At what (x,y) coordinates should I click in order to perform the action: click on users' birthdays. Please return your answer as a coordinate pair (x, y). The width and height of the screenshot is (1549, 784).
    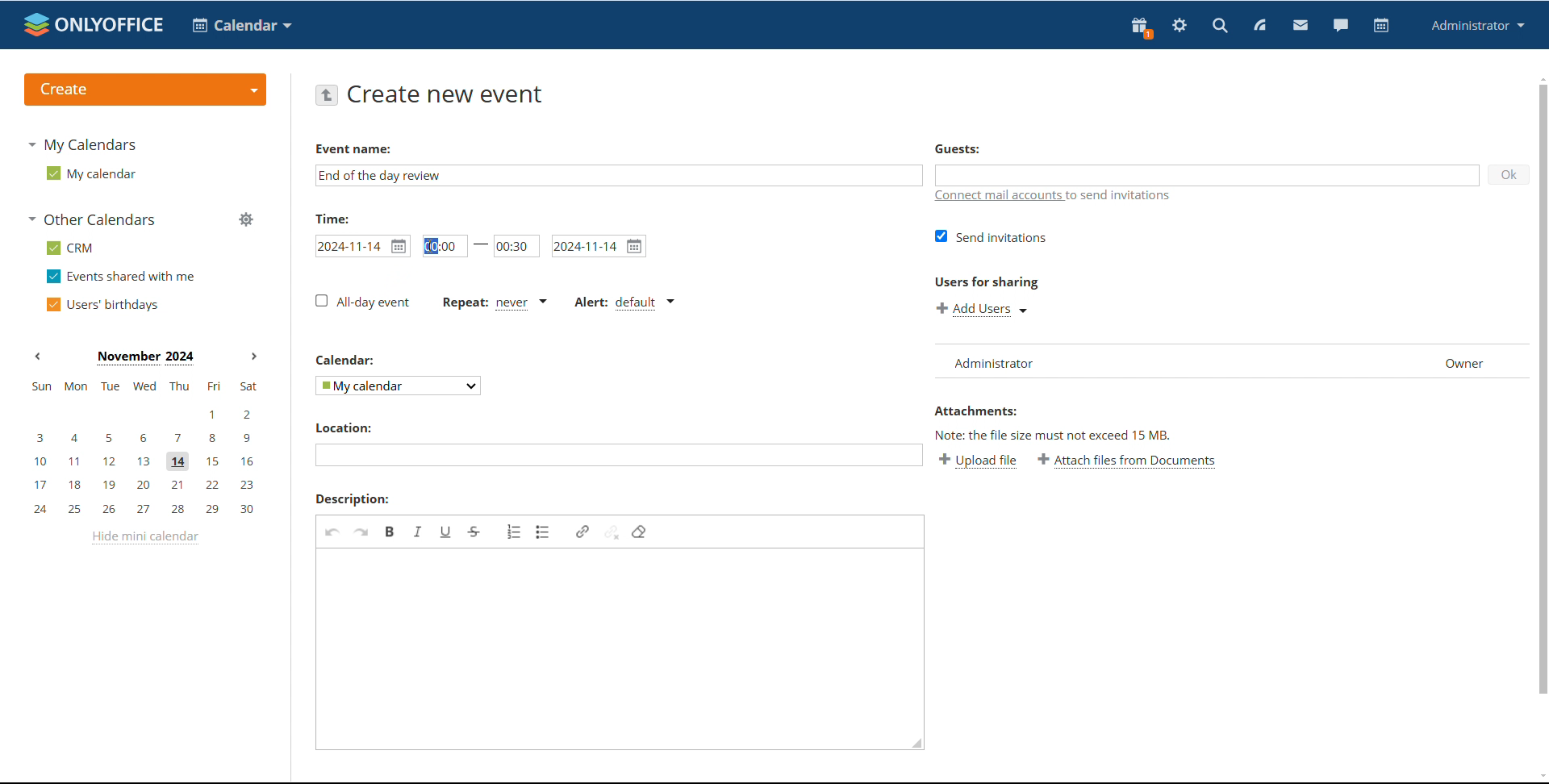
    Looking at the image, I should click on (101, 305).